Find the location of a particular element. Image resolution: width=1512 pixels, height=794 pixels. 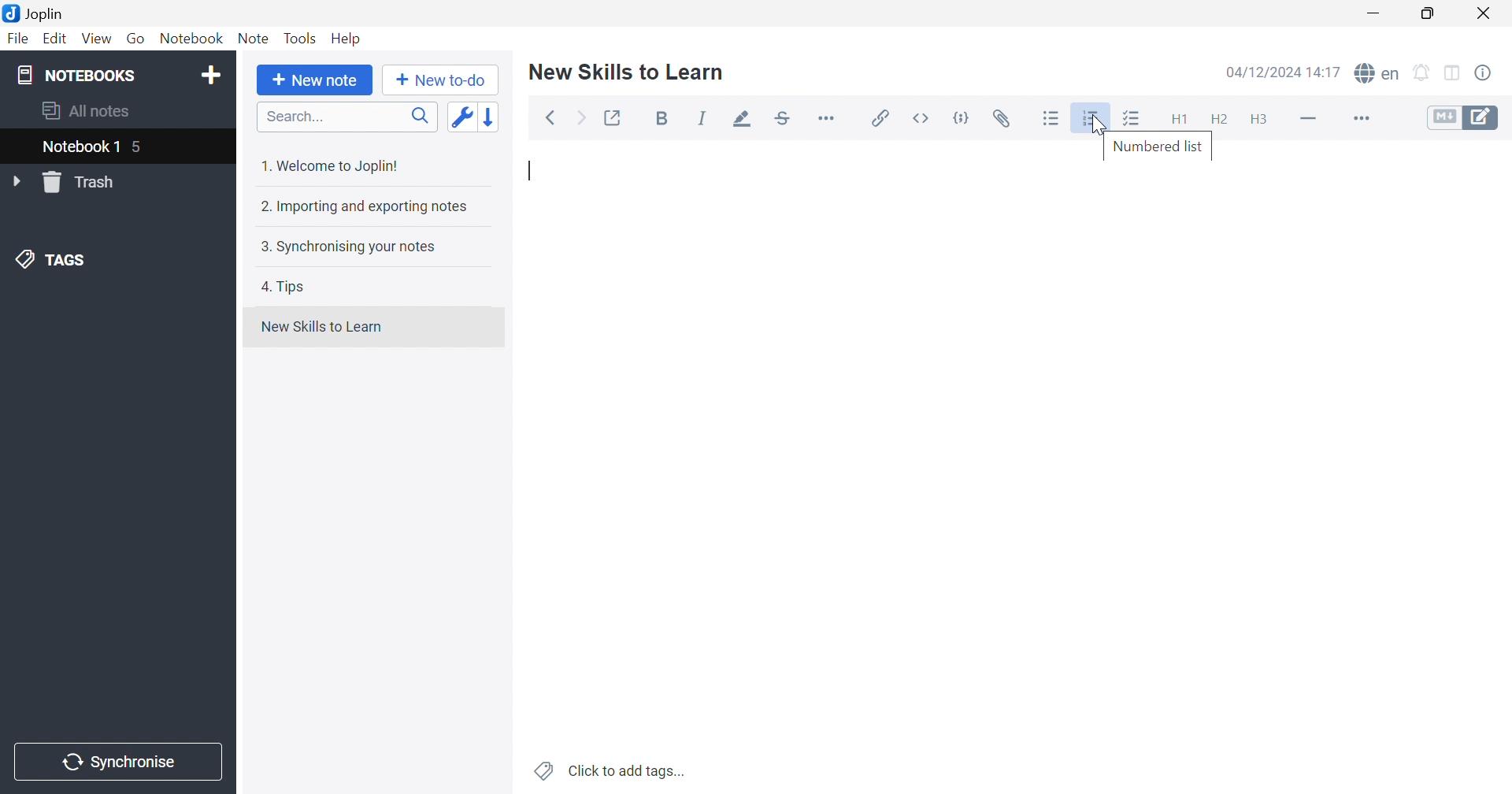

Strikethrough is located at coordinates (784, 119).